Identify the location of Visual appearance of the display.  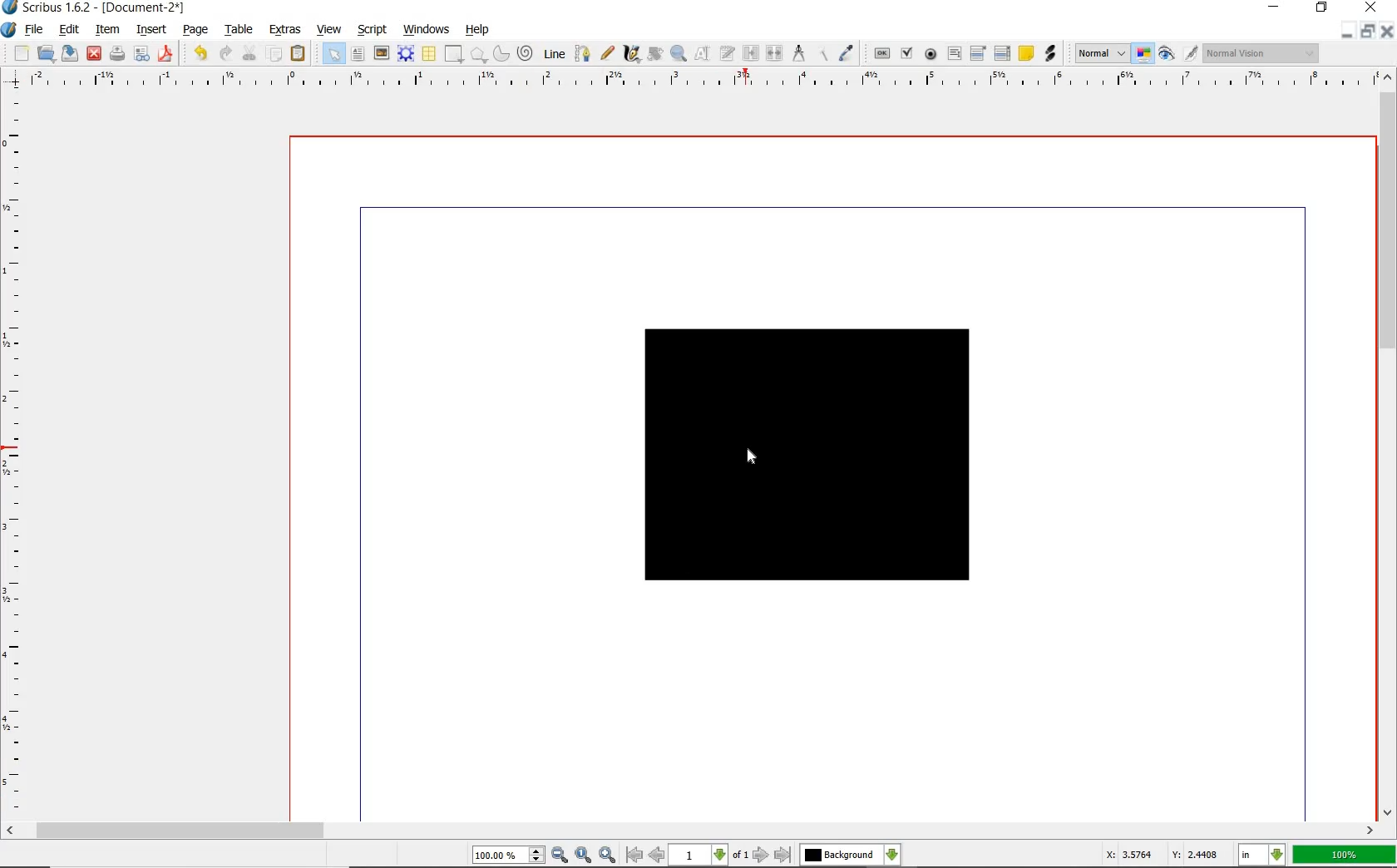
(1261, 54).